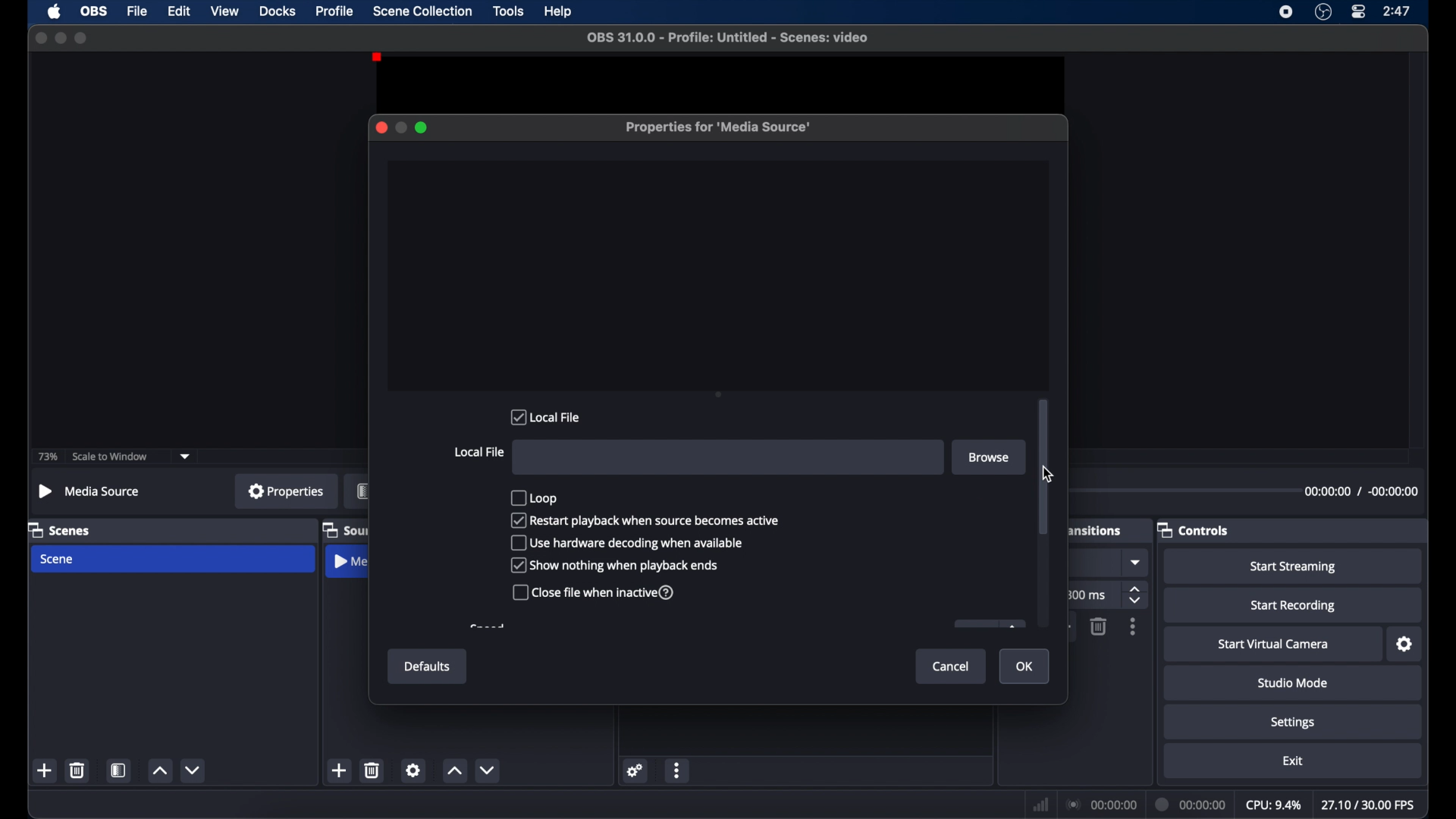 Image resolution: width=1456 pixels, height=819 pixels. Describe the element at coordinates (989, 624) in the screenshot. I see `obscure button` at that location.